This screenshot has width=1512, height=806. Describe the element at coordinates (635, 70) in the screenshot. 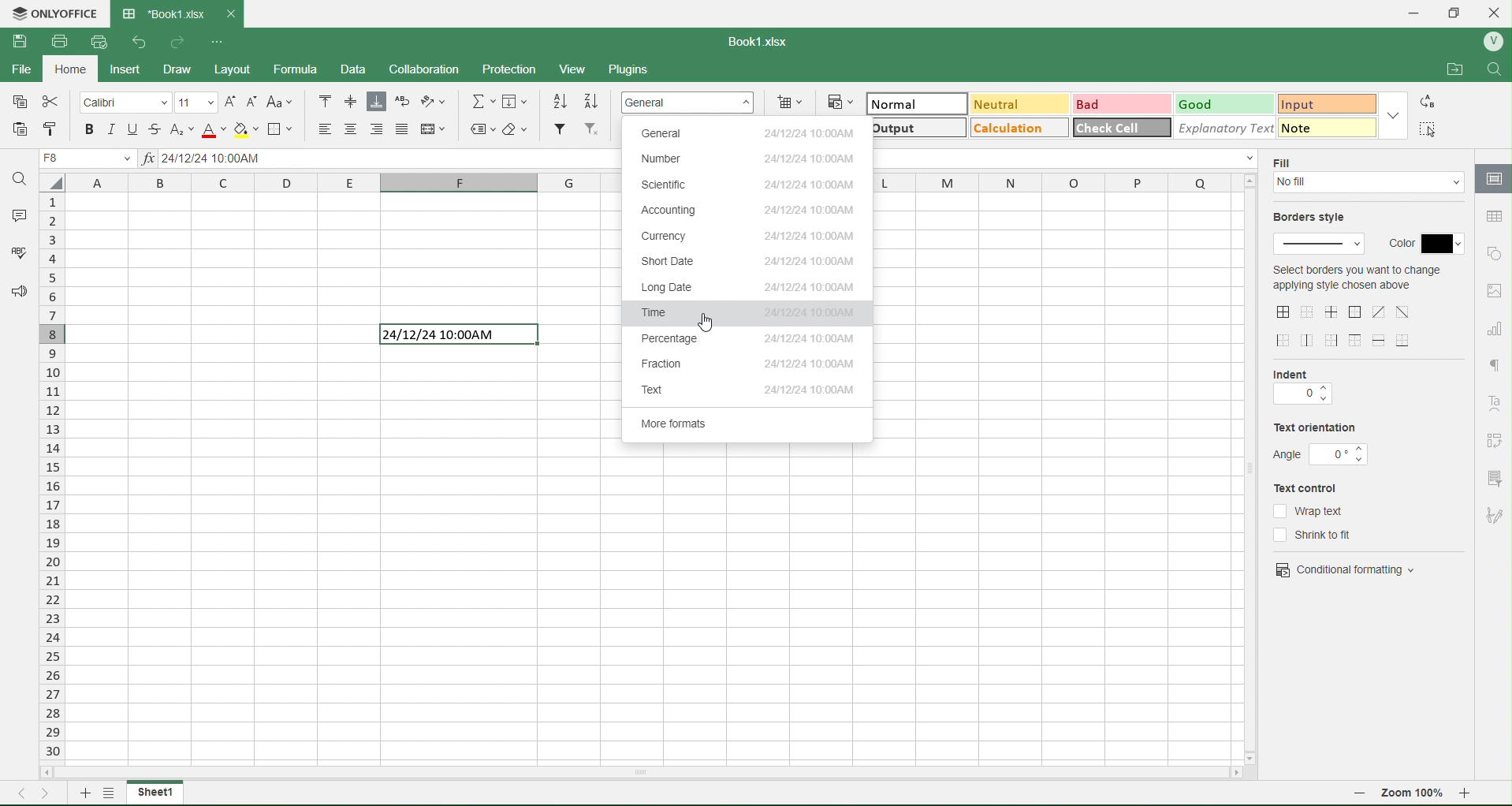

I see `Plugins` at that location.